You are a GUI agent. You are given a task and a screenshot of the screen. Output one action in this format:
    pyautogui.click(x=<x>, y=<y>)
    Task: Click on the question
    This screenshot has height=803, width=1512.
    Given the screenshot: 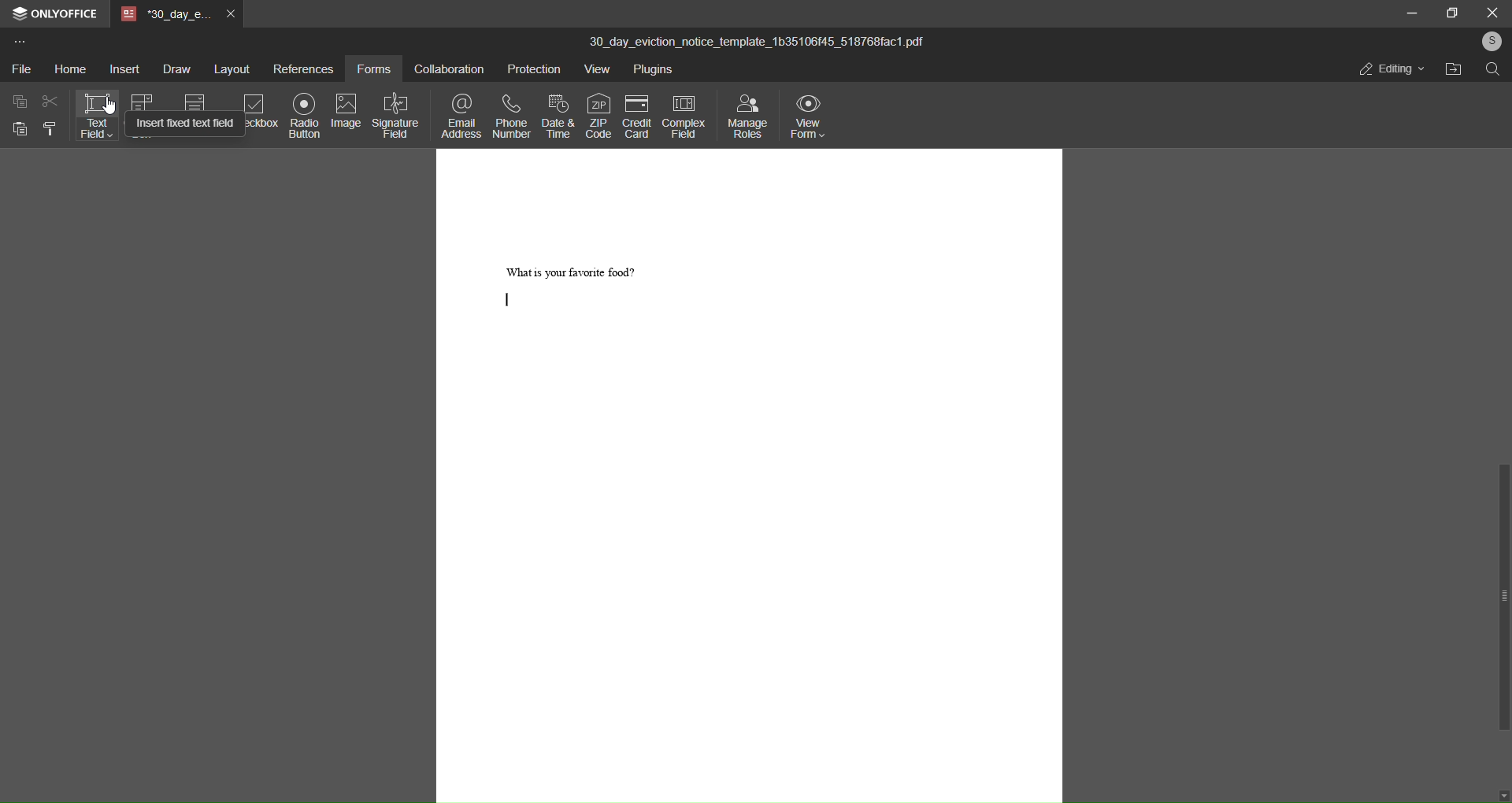 What is the action you would take?
    pyautogui.click(x=573, y=269)
    